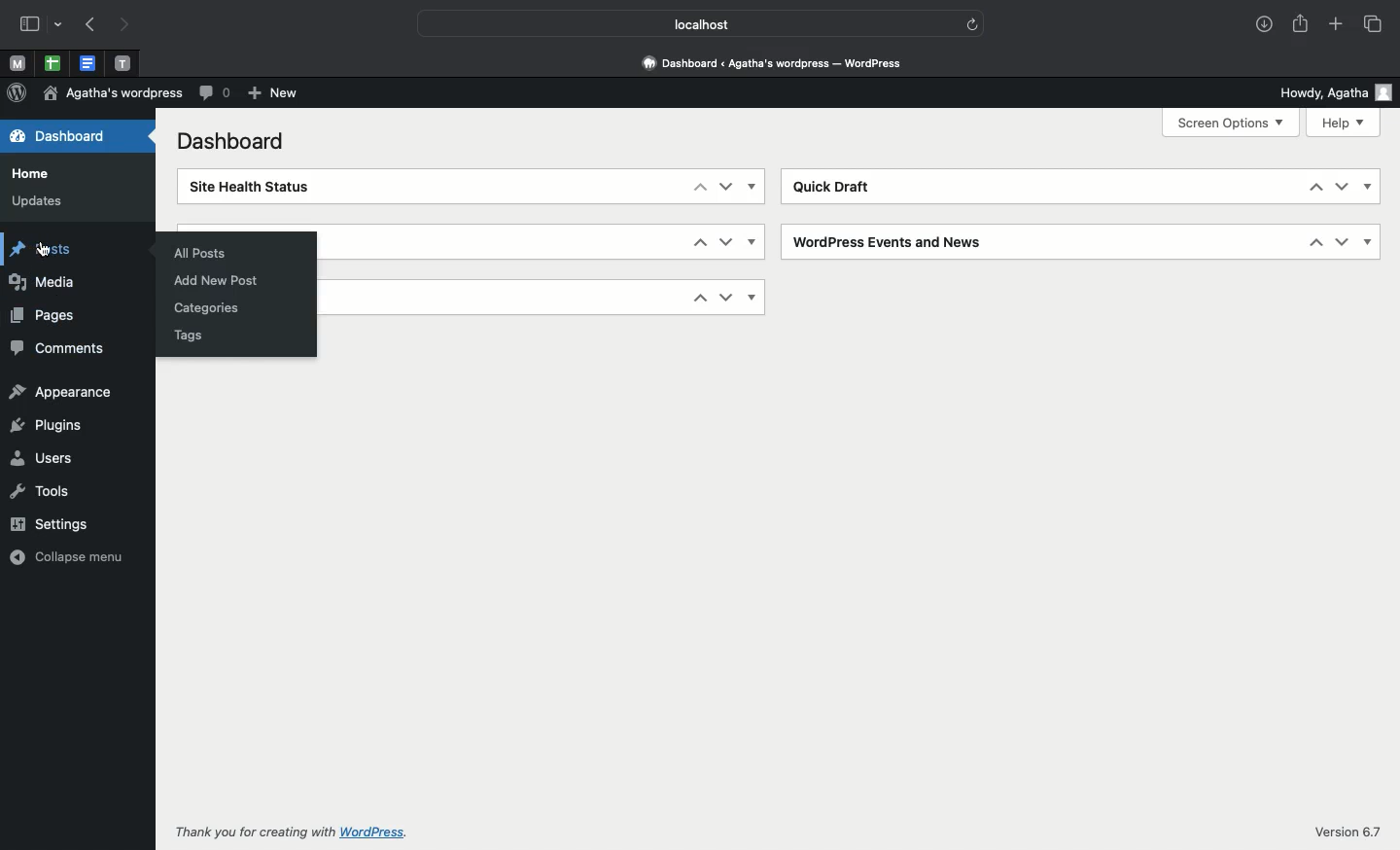 Image resolution: width=1400 pixels, height=850 pixels. Describe the element at coordinates (15, 62) in the screenshot. I see `M tabs` at that location.